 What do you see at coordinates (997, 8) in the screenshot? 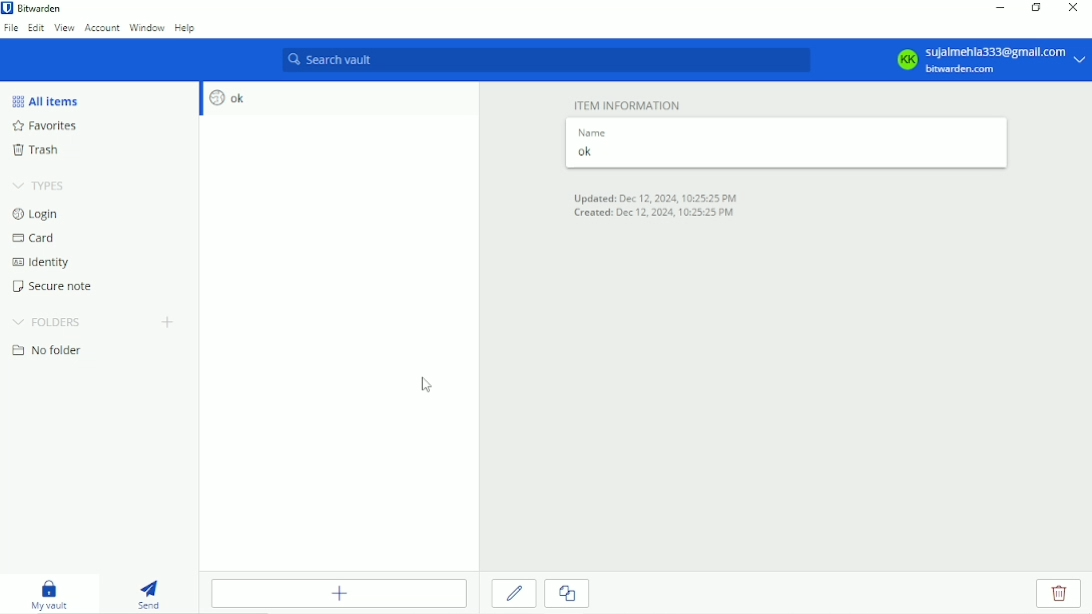
I see `Minimize` at bounding box center [997, 8].